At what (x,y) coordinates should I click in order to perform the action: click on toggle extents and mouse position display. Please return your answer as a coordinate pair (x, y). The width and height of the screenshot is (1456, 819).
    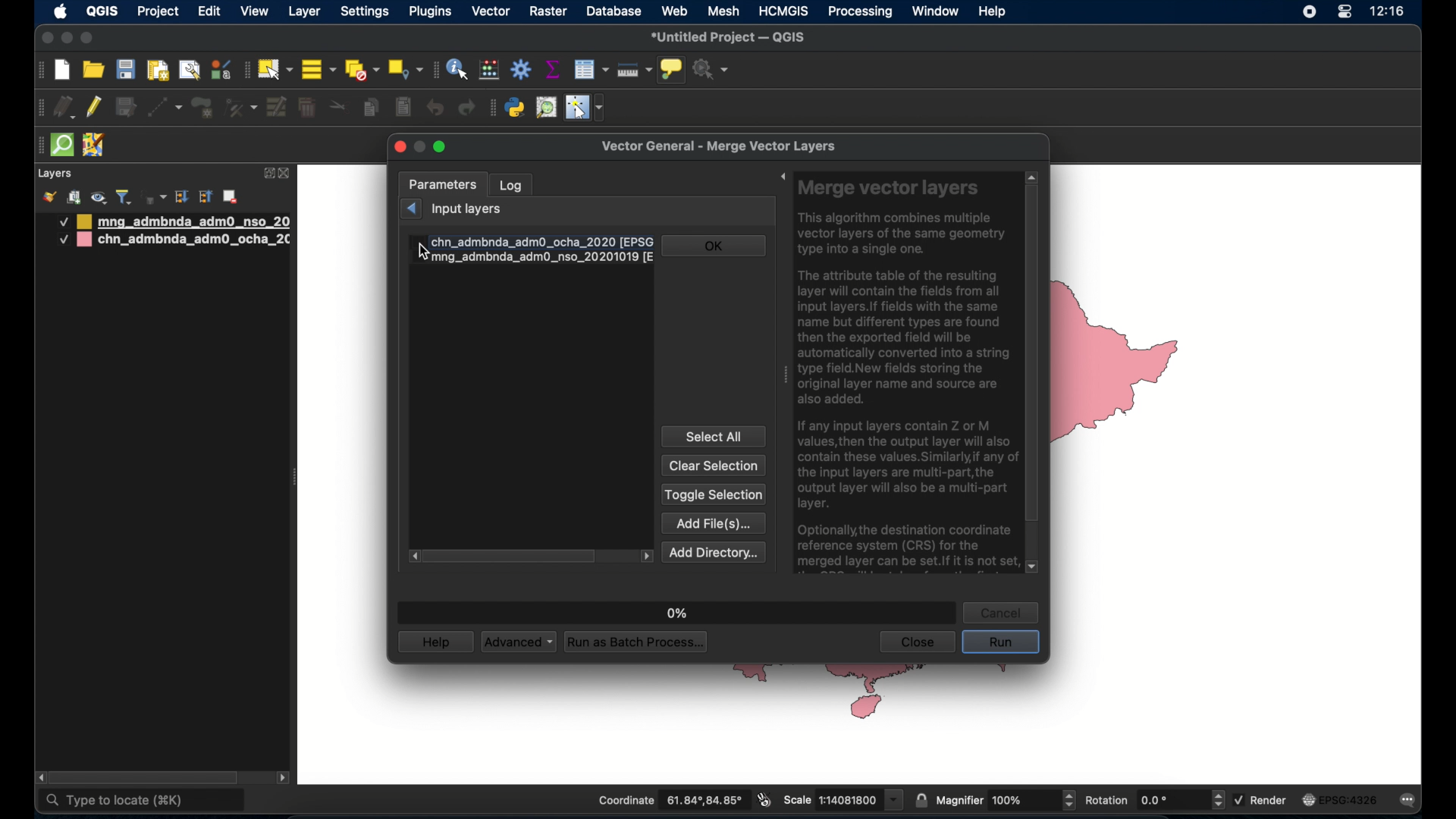
    Looking at the image, I should click on (762, 799).